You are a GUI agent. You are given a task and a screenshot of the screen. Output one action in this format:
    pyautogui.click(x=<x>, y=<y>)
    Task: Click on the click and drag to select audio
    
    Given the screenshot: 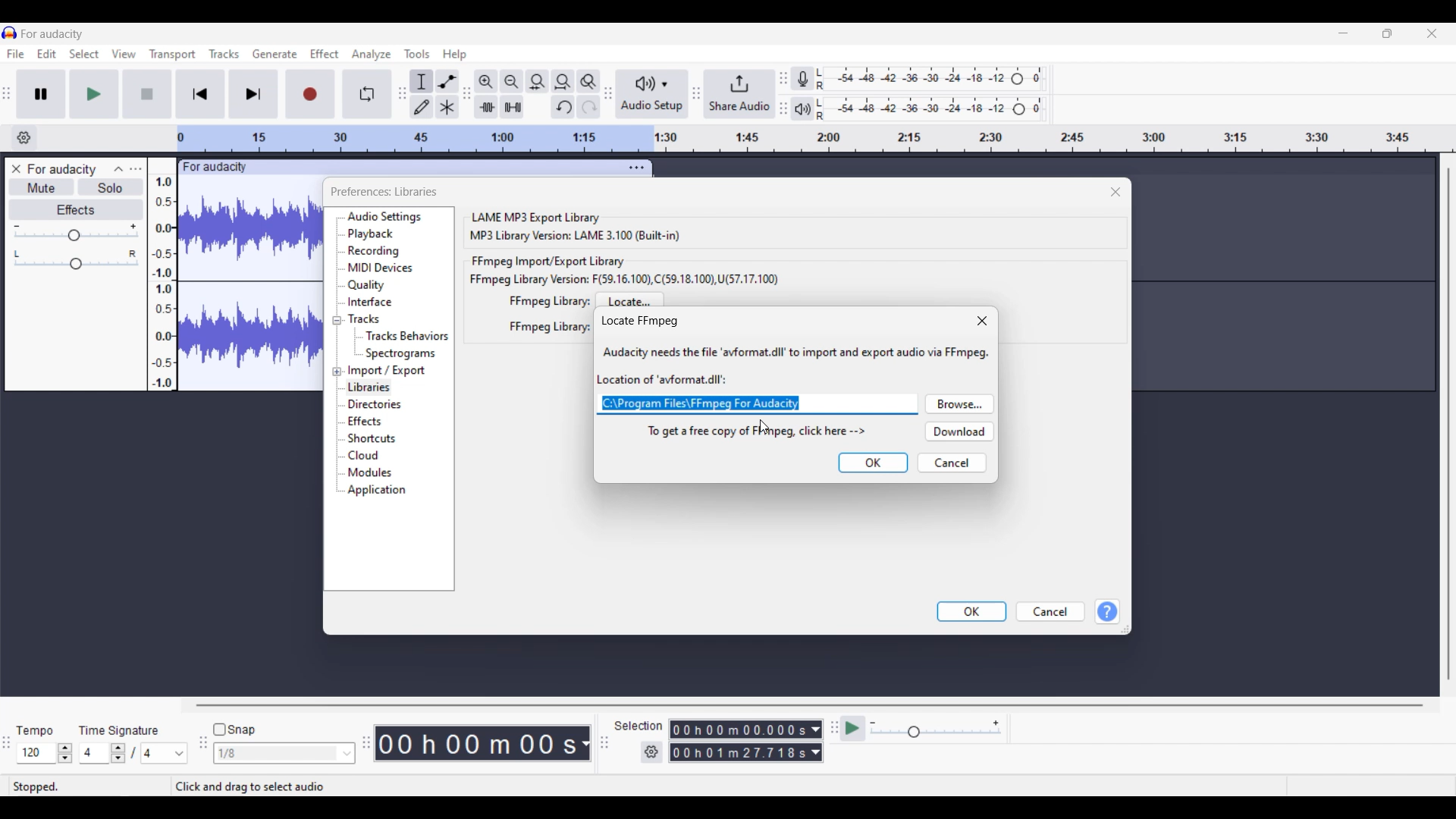 What is the action you would take?
    pyautogui.click(x=267, y=786)
    